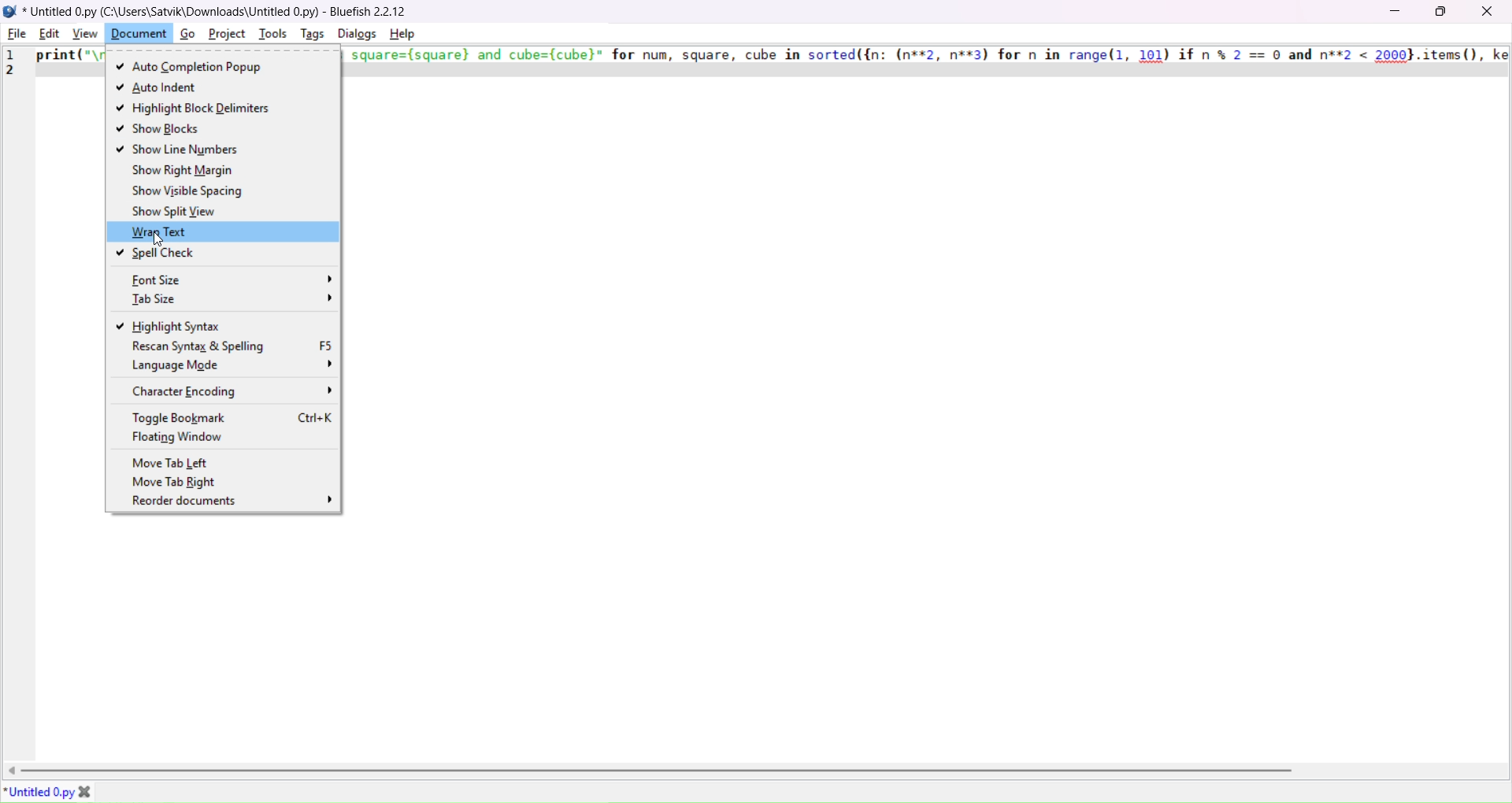 The height and width of the screenshot is (803, 1512). What do you see at coordinates (173, 149) in the screenshot?
I see `show line numbers` at bounding box center [173, 149].